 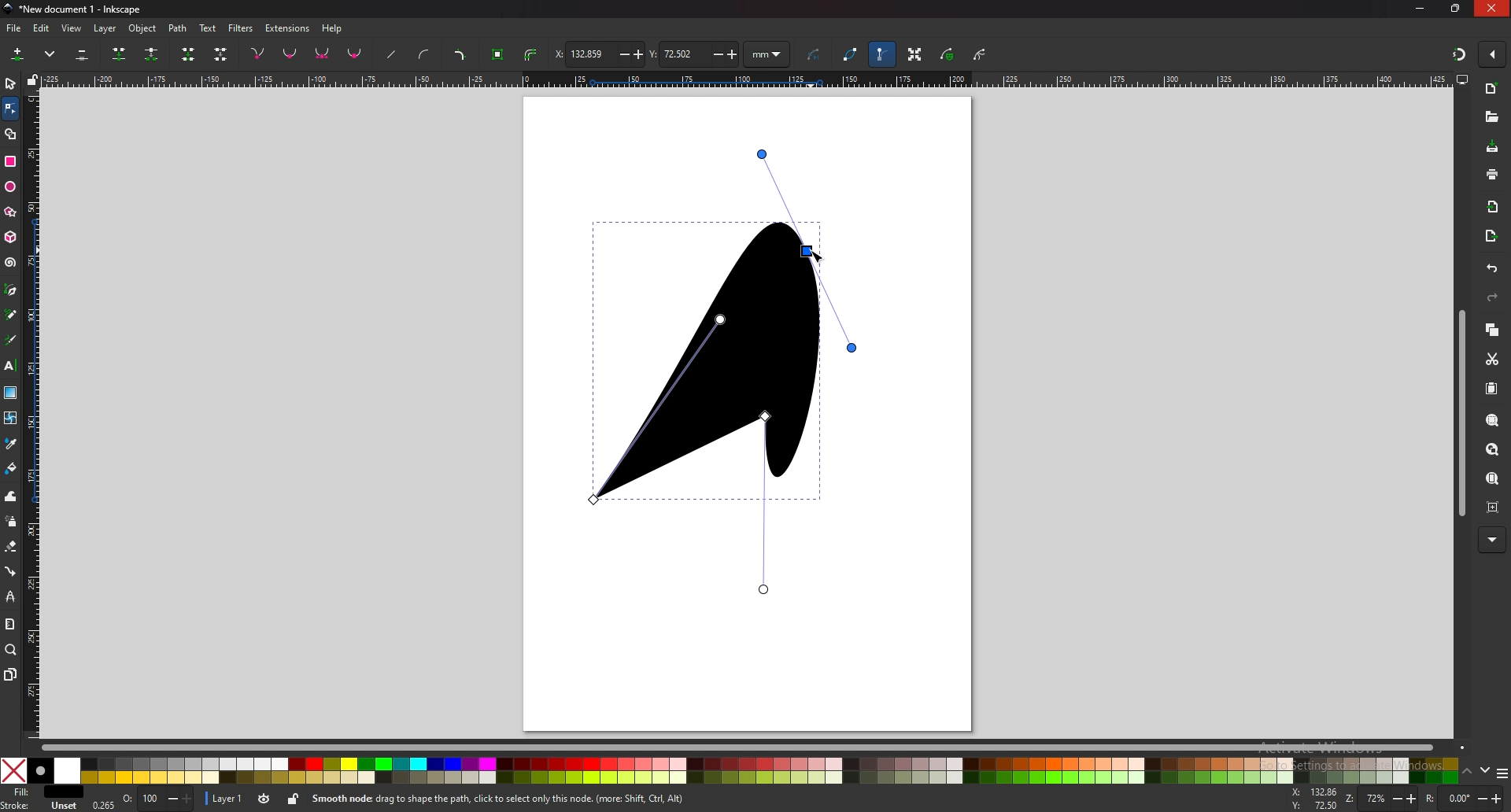 I want to click on pencil, so click(x=13, y=315).